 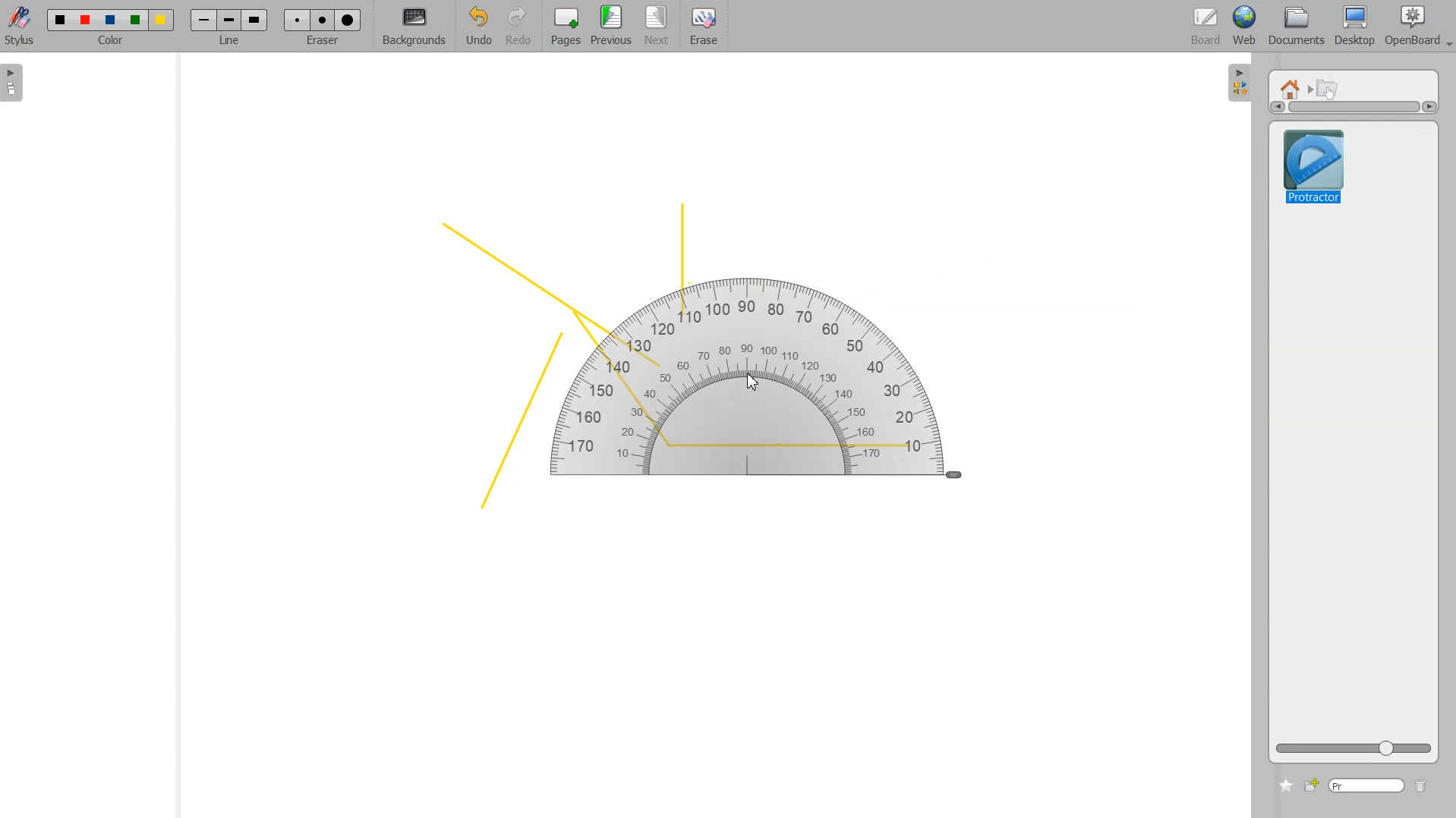 What do you see at coordinates (1285, 785) in the screenshot?
I see `Add to favorite` at bounding box center [1285, 785].